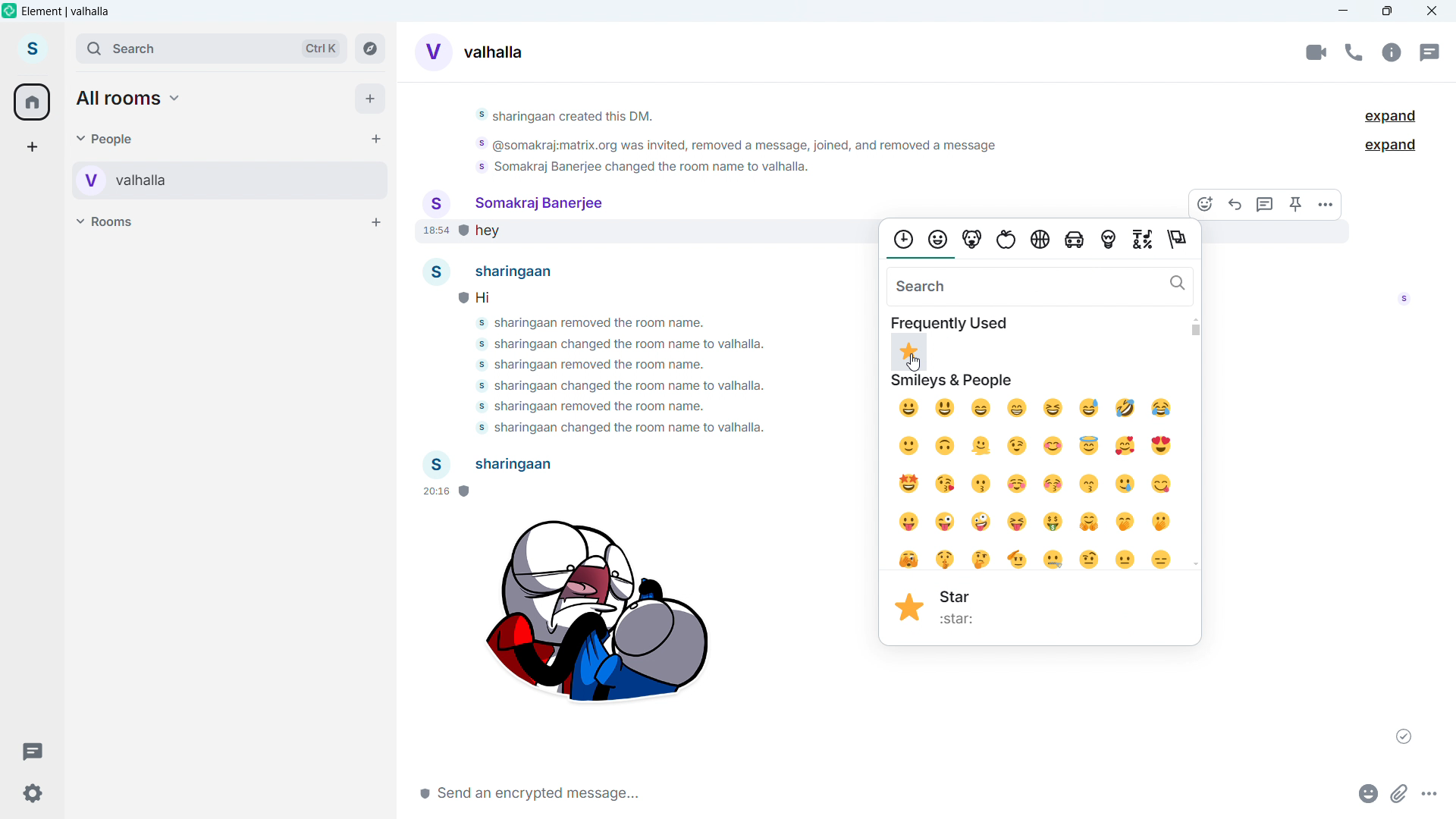  I want to click on neutral face, so click(1128, 560).